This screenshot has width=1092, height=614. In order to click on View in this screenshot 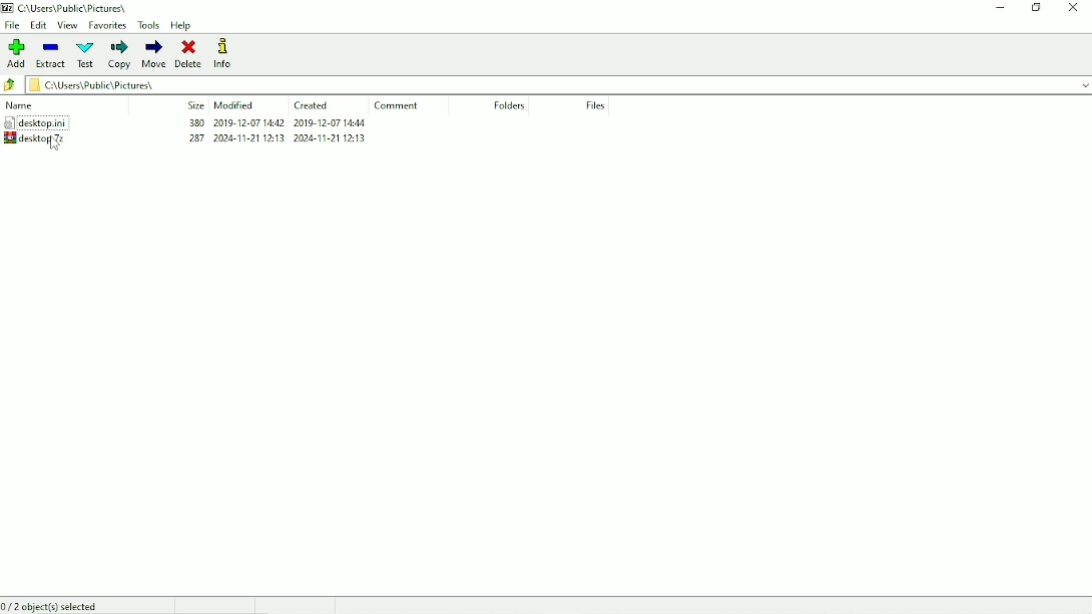, I will do `click(68, 26)`.